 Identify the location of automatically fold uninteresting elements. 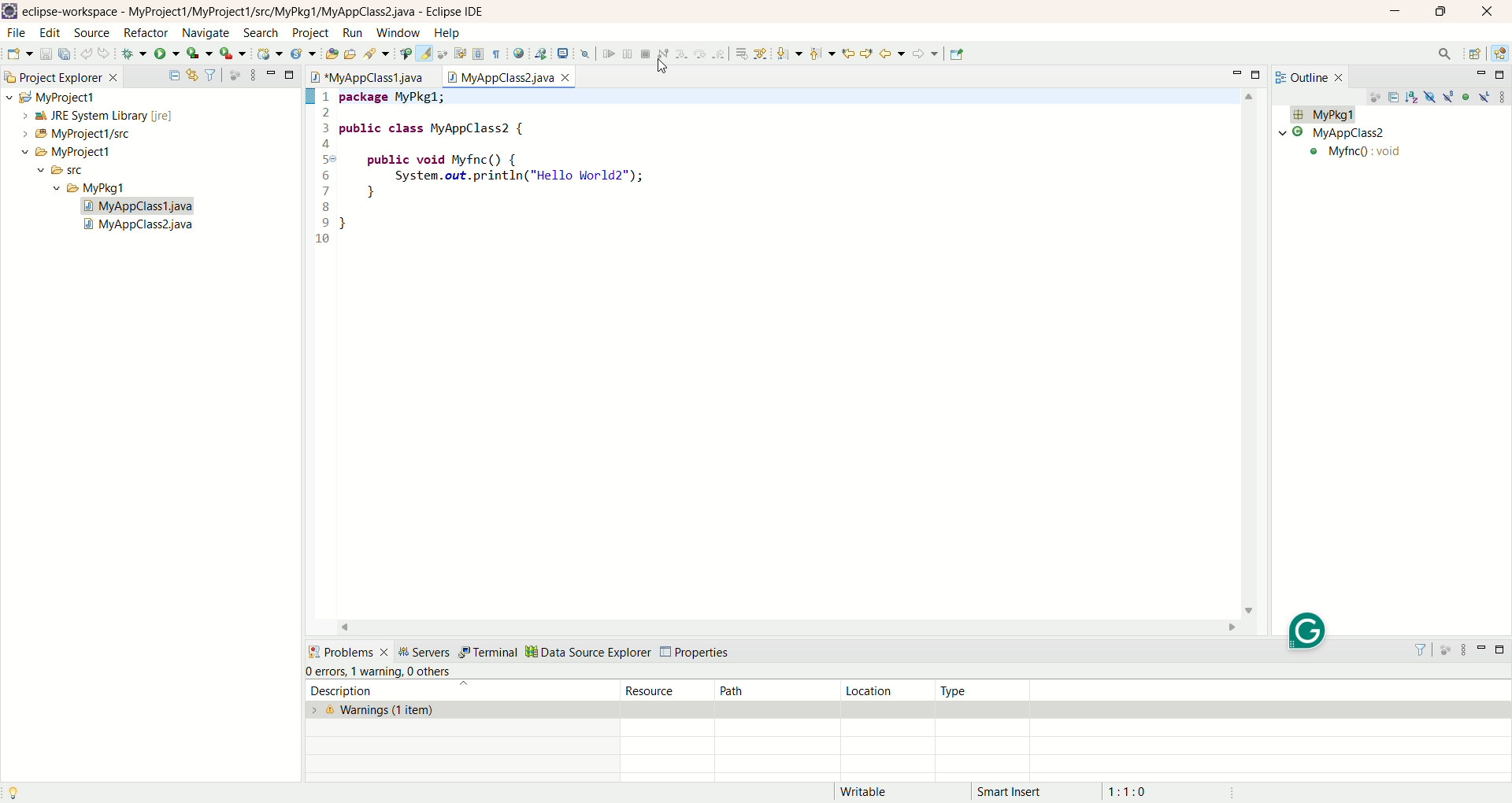
(445, 54).